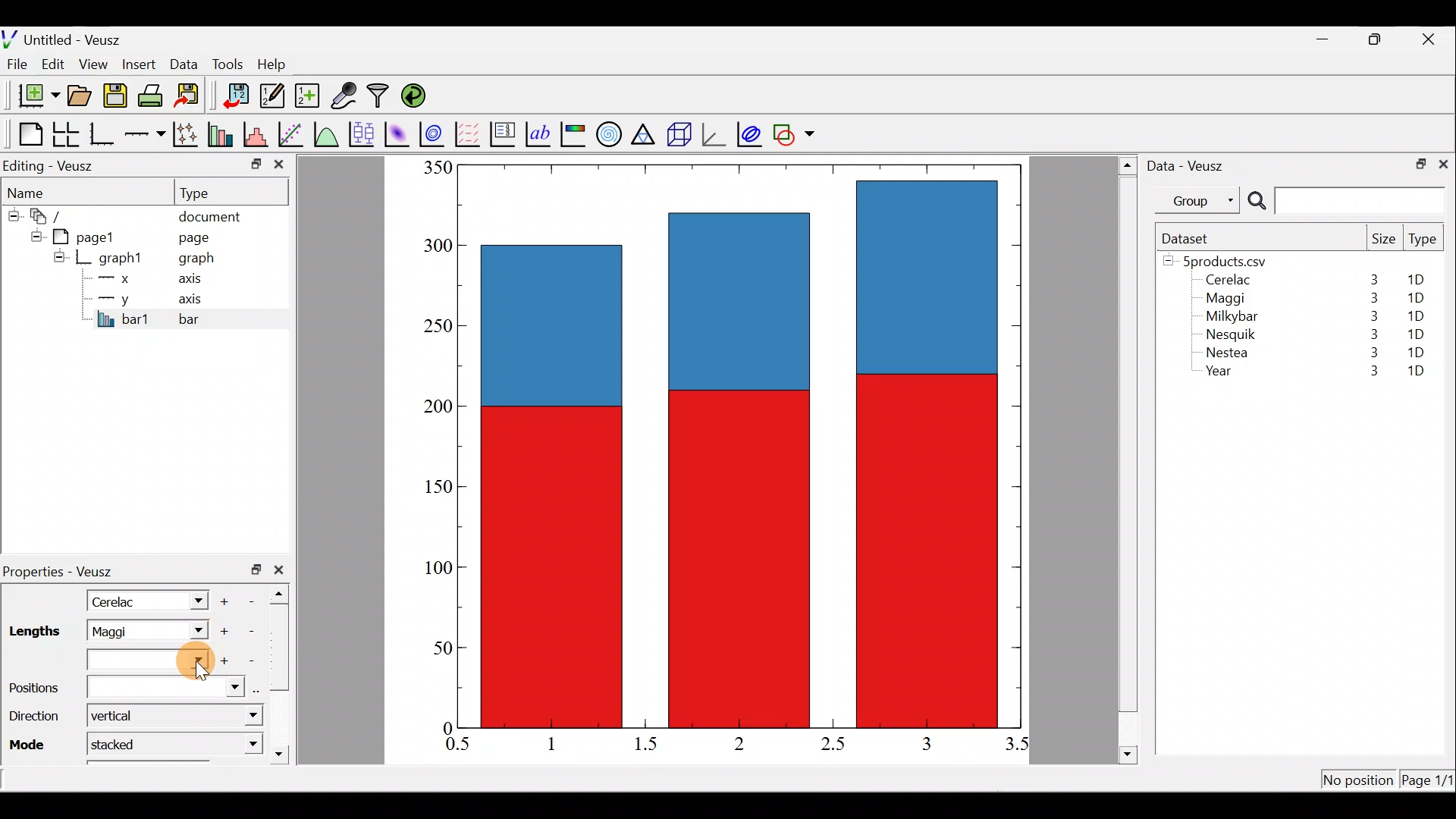  What do you see at coordinates (833, 744) in the screenshot?
I see `2.5` at bounding box center [833, 744].